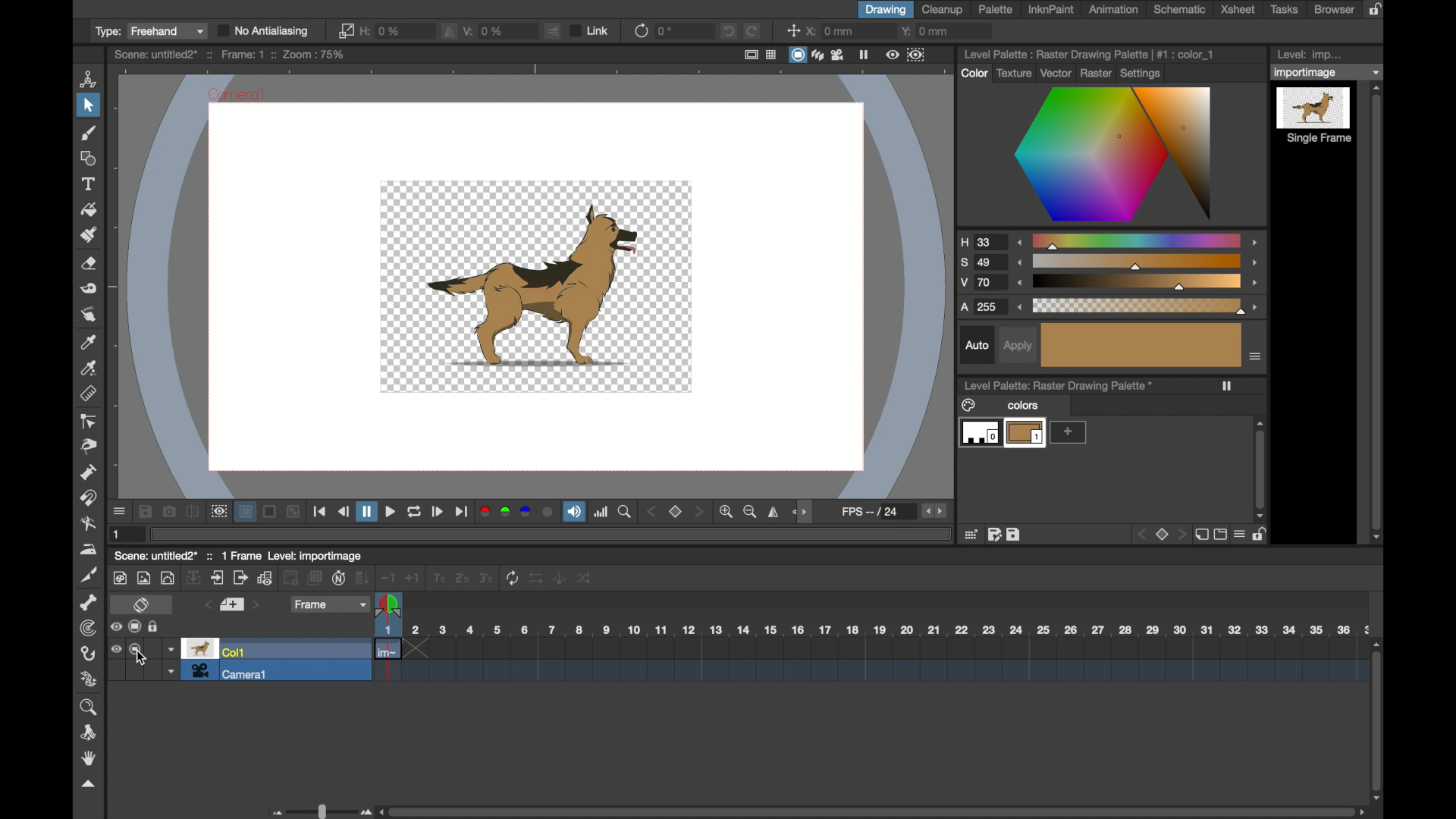  Describe the element at coordinates (1379, 9) in the screenshot. I see `lock` at that location.